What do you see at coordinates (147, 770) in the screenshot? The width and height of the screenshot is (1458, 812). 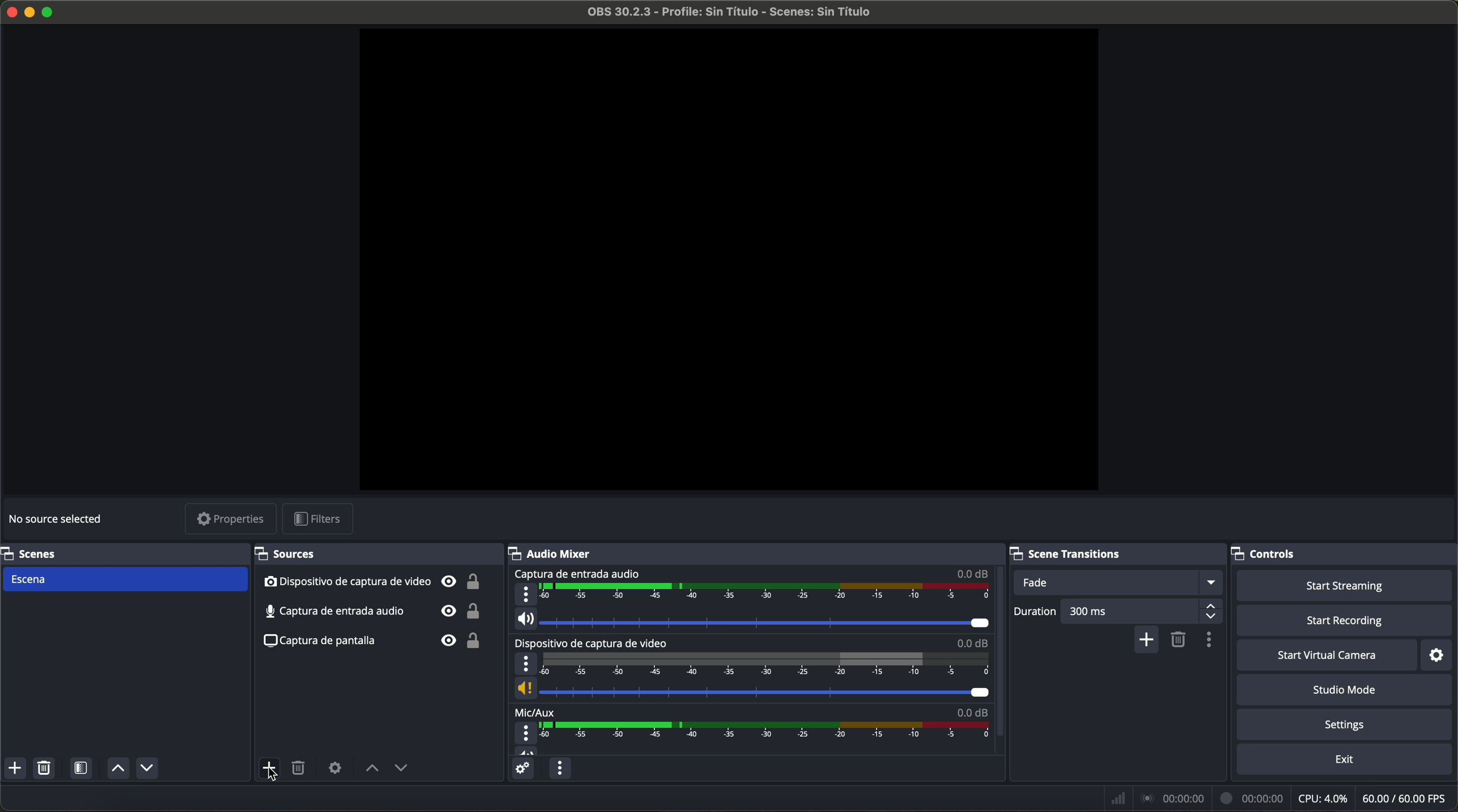 I see `move scene down` at bounding box center [147, 770].